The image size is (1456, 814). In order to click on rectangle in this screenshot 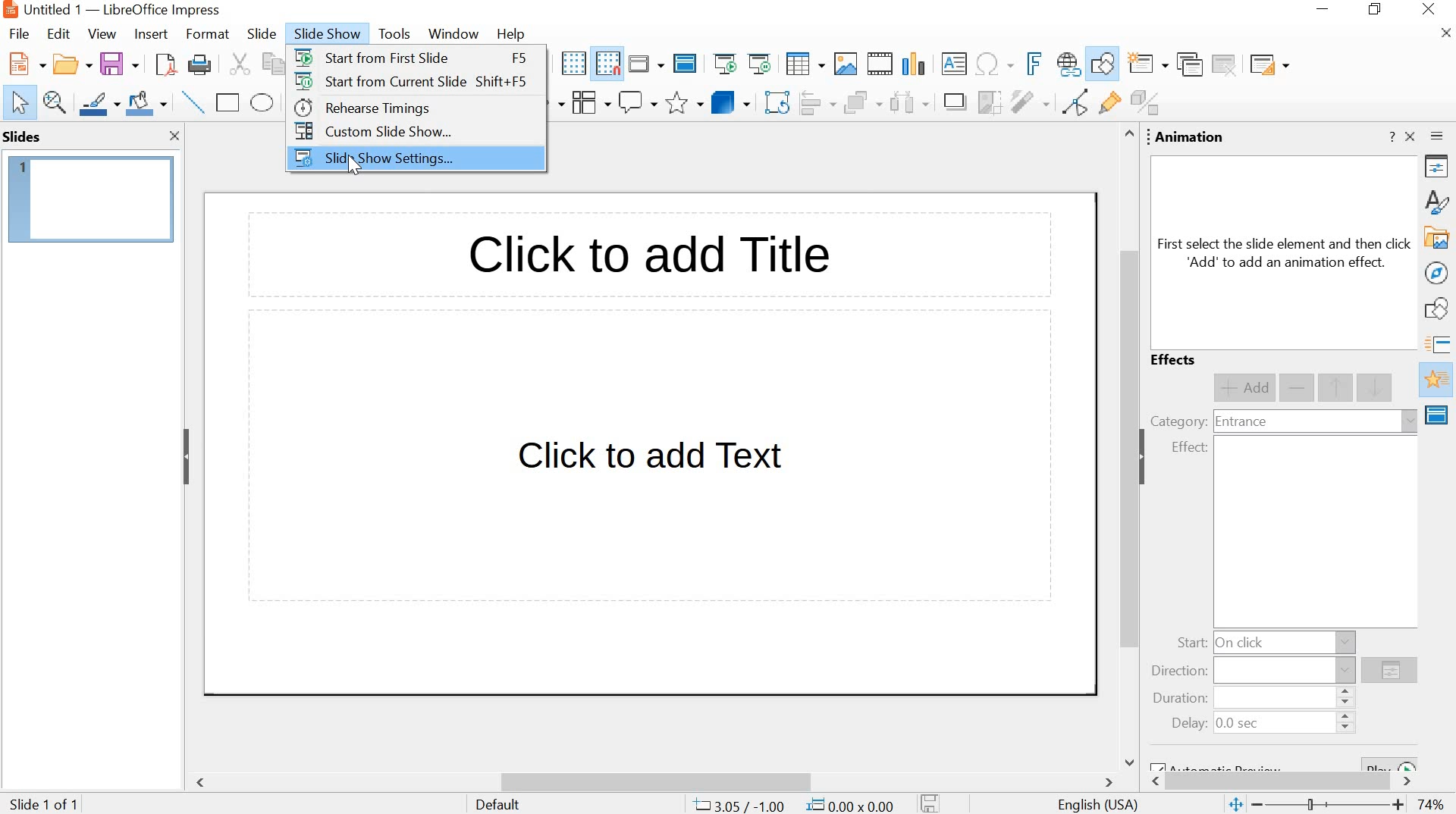, I will do `click(228, 102)`.